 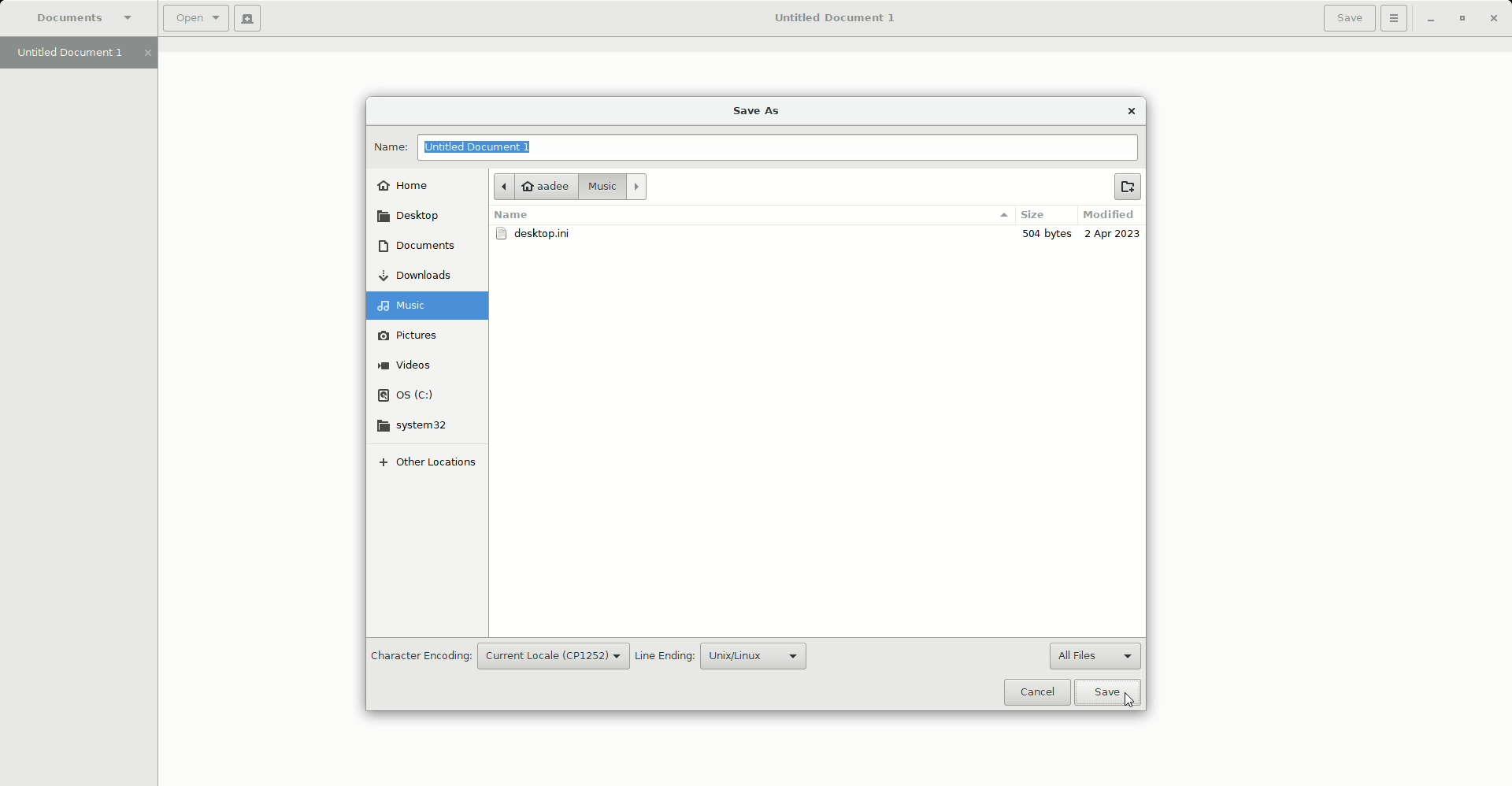 What do you see at coordinates (422, 276) in the screenshot?
I see `Downloads` at bounding box center [422, 276].